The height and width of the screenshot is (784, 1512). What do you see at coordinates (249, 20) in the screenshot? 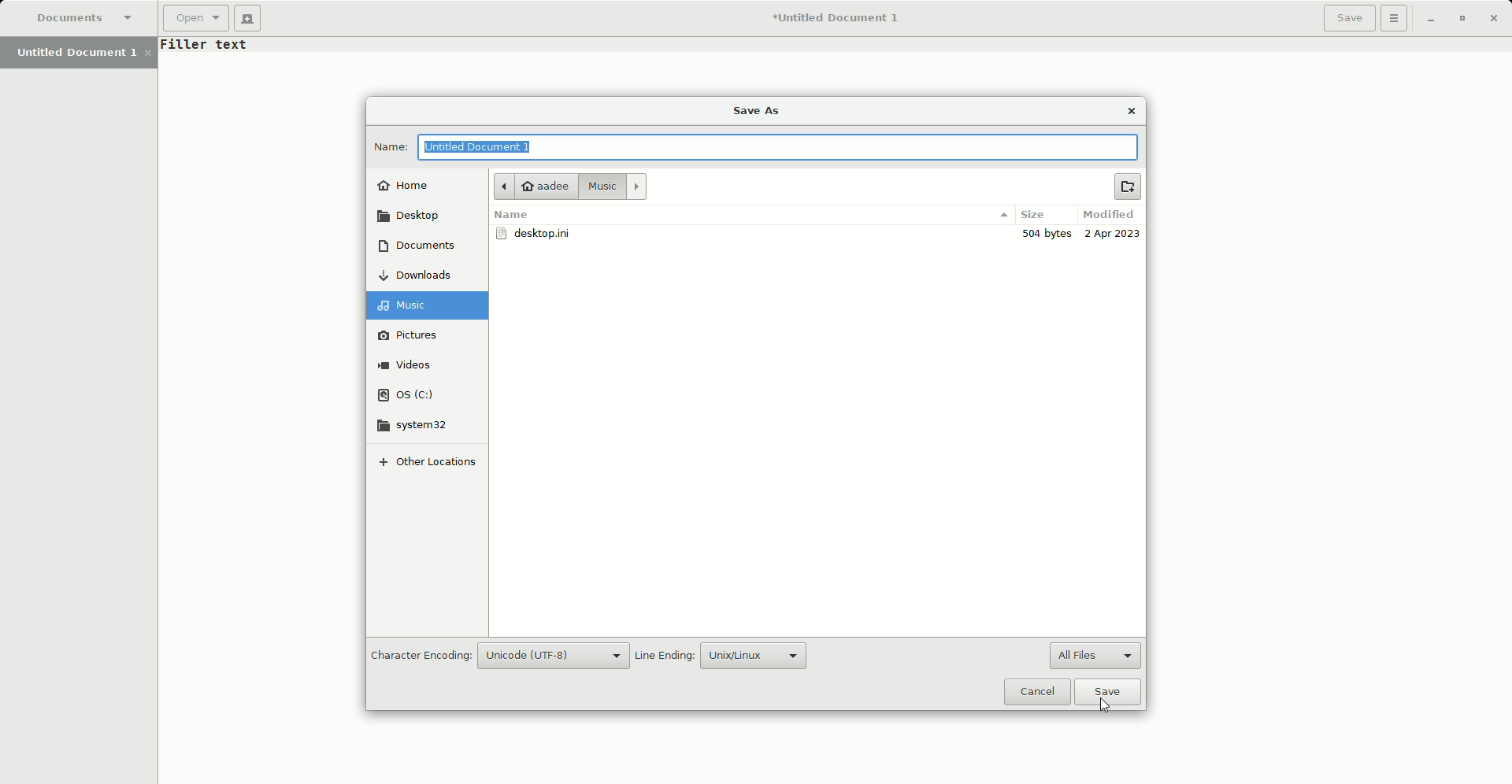
I see `New` at bounding box center [249, 20].